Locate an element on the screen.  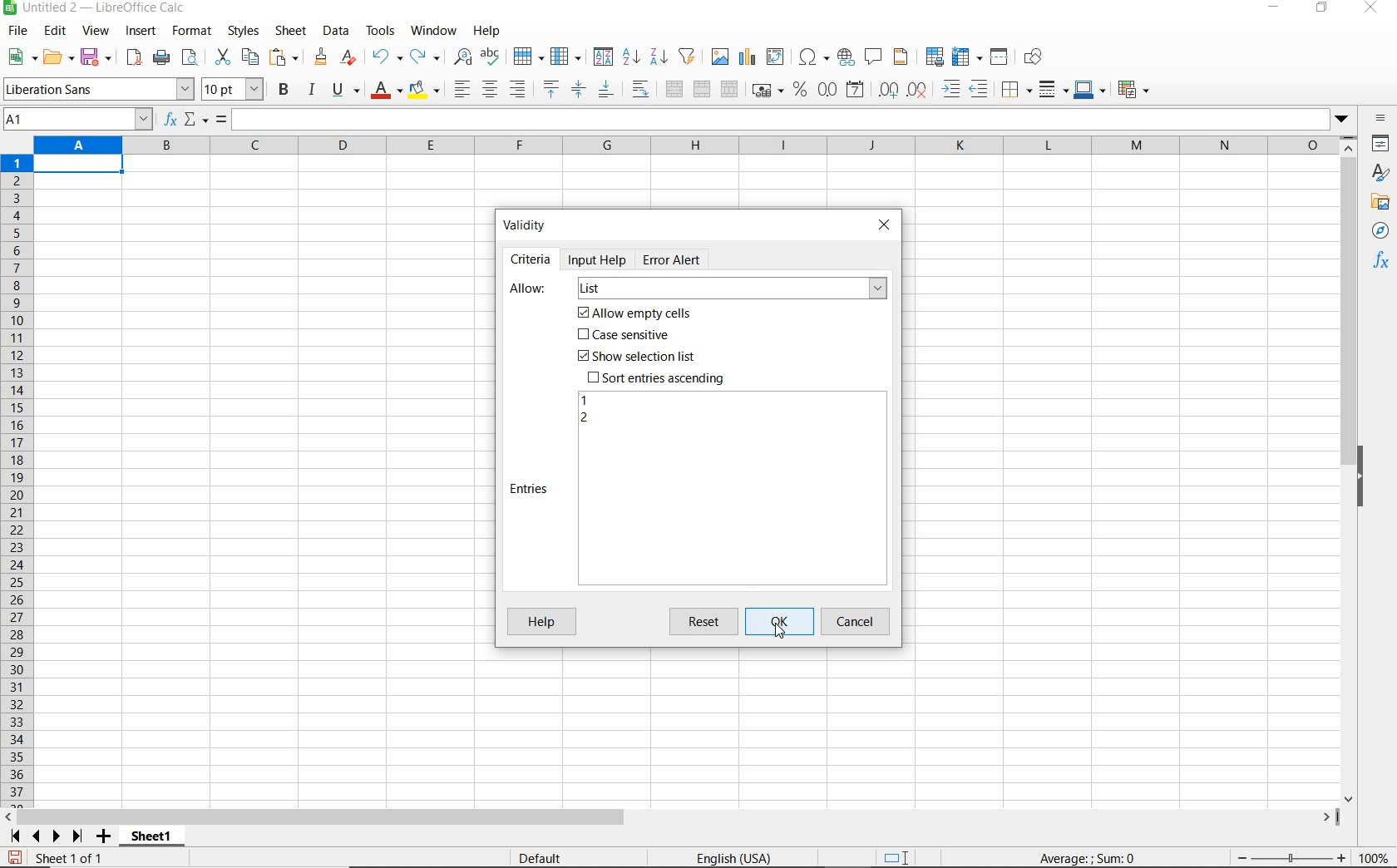
hide is located at coordinates (1362, 479).